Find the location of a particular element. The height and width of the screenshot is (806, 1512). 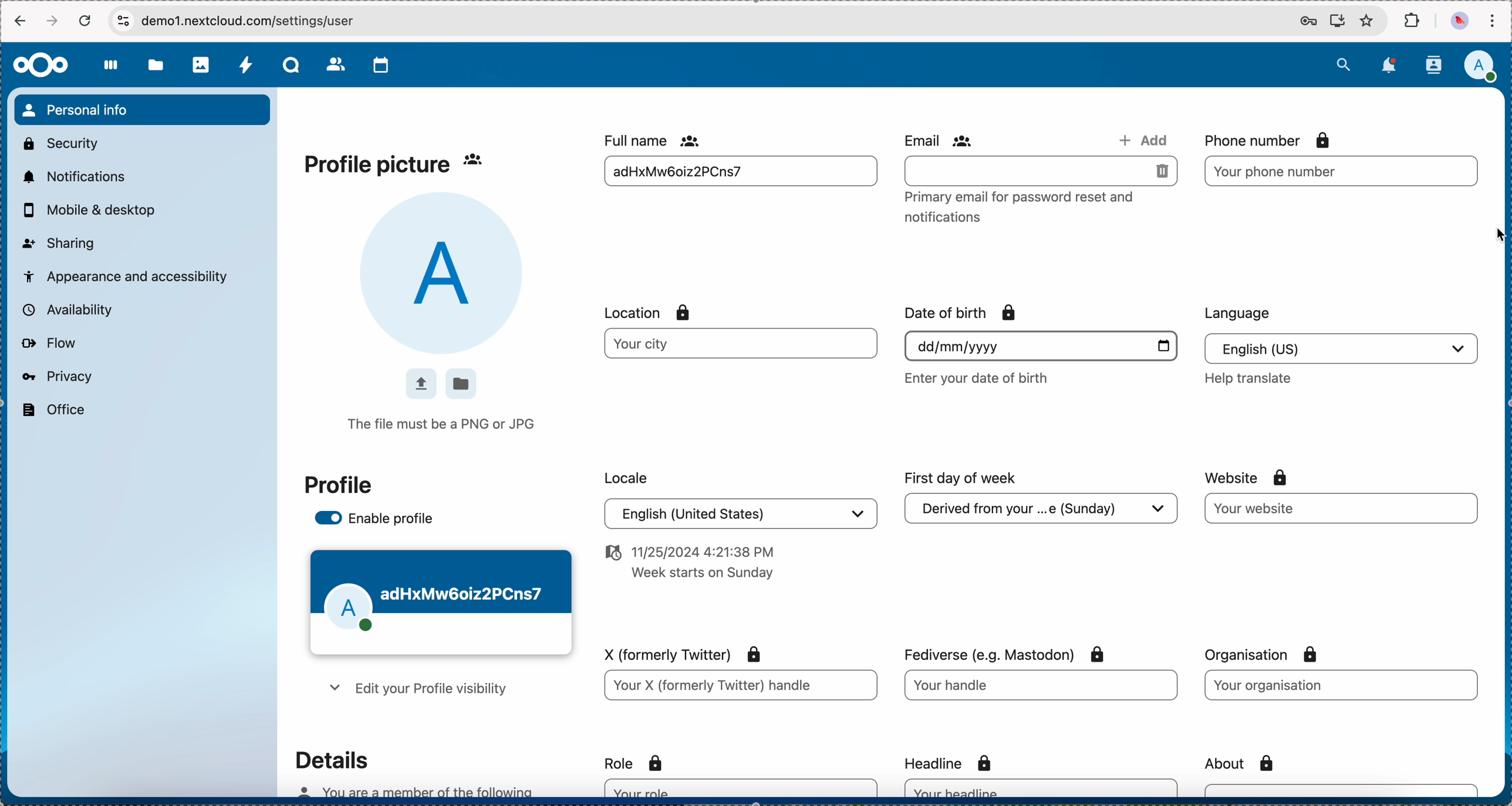

URL is located at coordinates (262, 21).